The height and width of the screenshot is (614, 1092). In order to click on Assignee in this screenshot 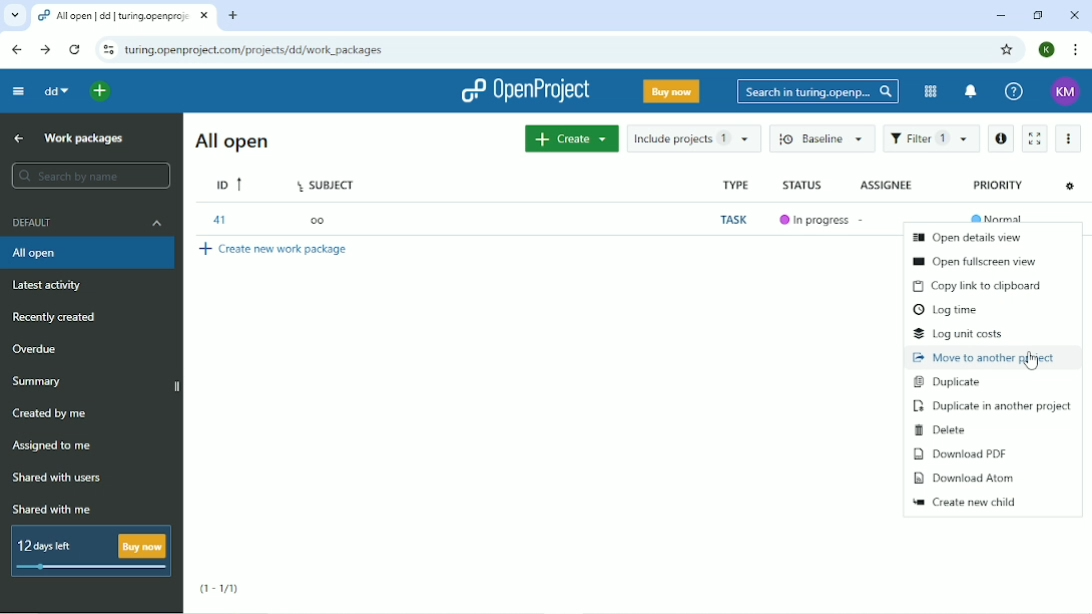, I will do `click(885, 185)`.